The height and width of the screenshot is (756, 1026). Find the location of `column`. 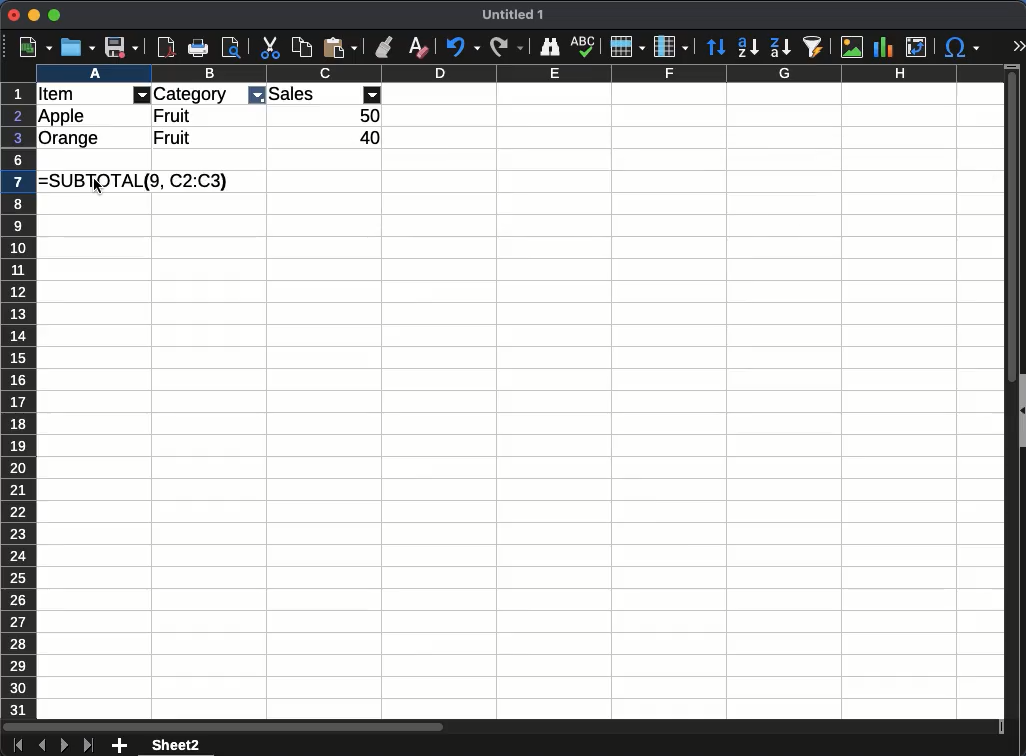

column is located at coordinates (519, 74).